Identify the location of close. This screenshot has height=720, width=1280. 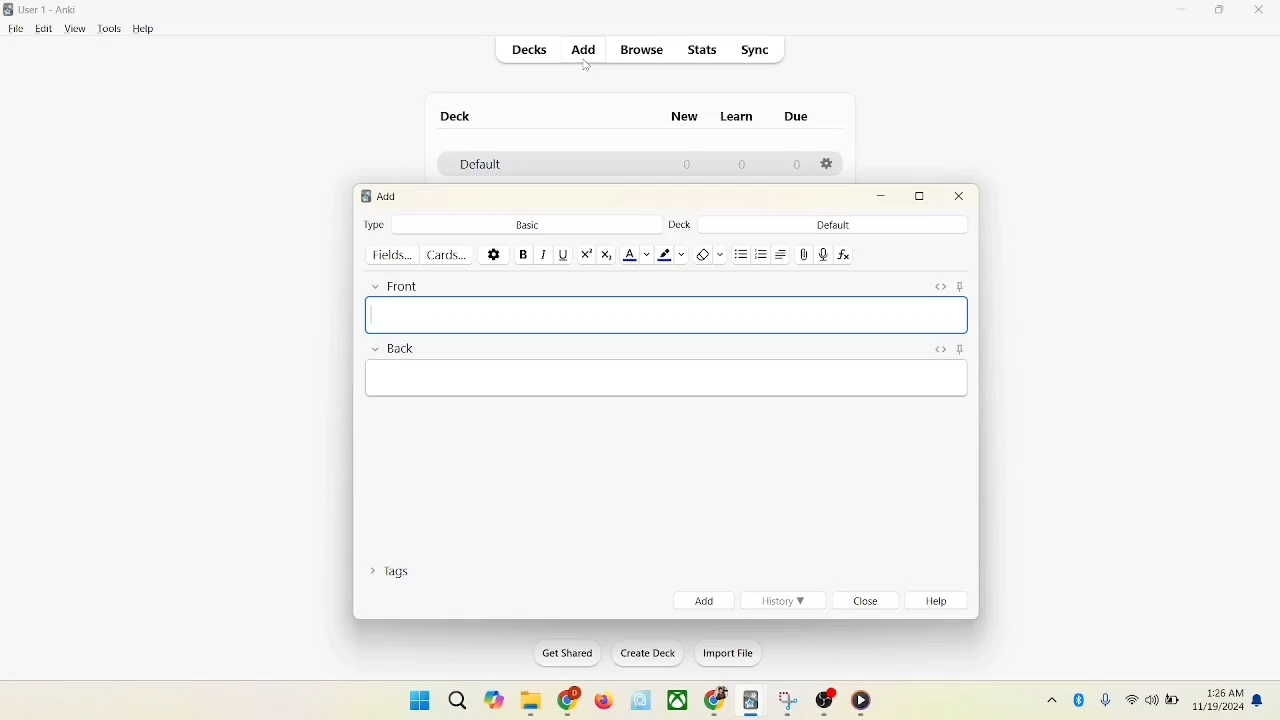
(868, 602).